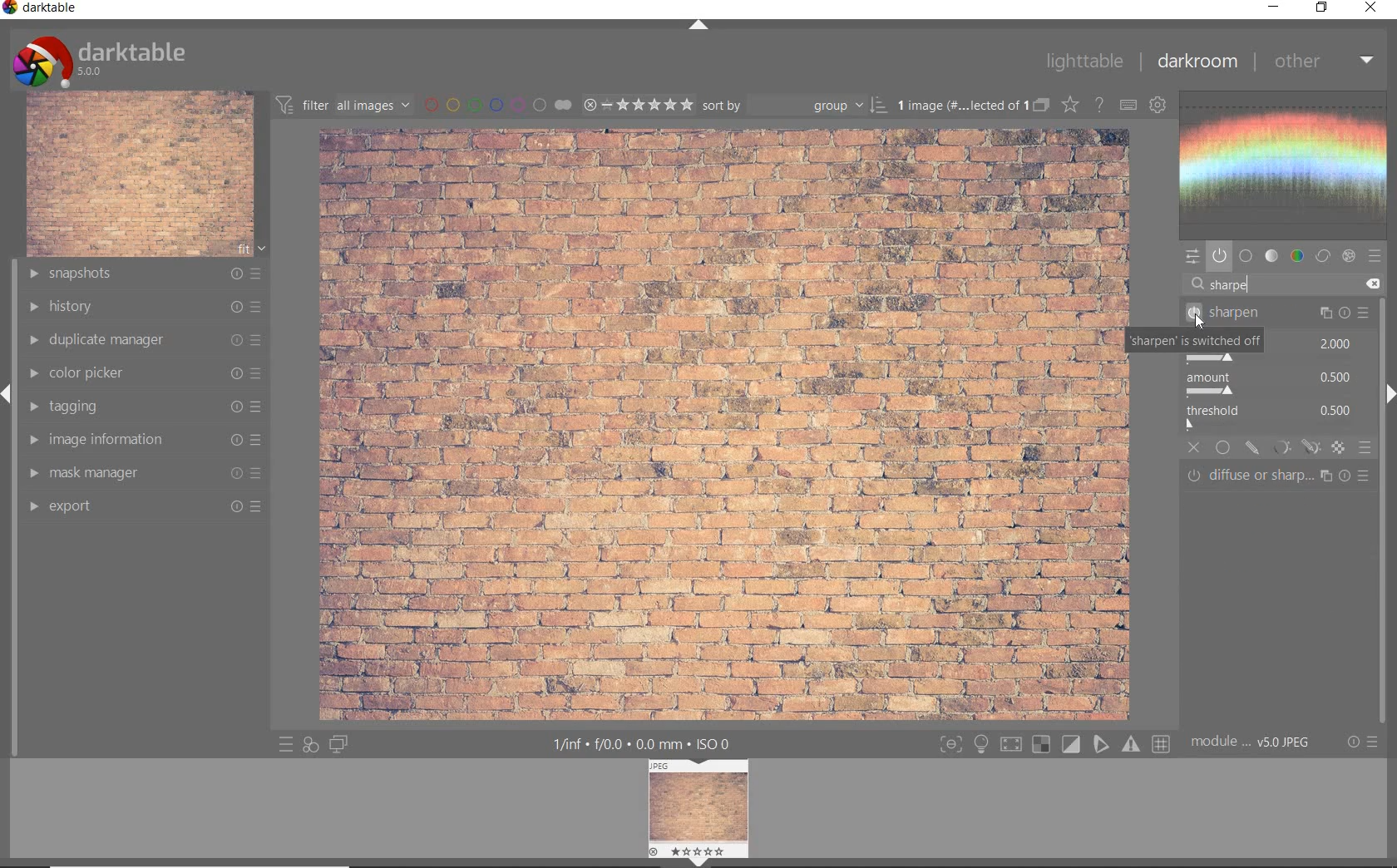  What do you see at coordinates (1288, 165) in the screenshot?
I see `wave form` at bounding box center [1288, 165].